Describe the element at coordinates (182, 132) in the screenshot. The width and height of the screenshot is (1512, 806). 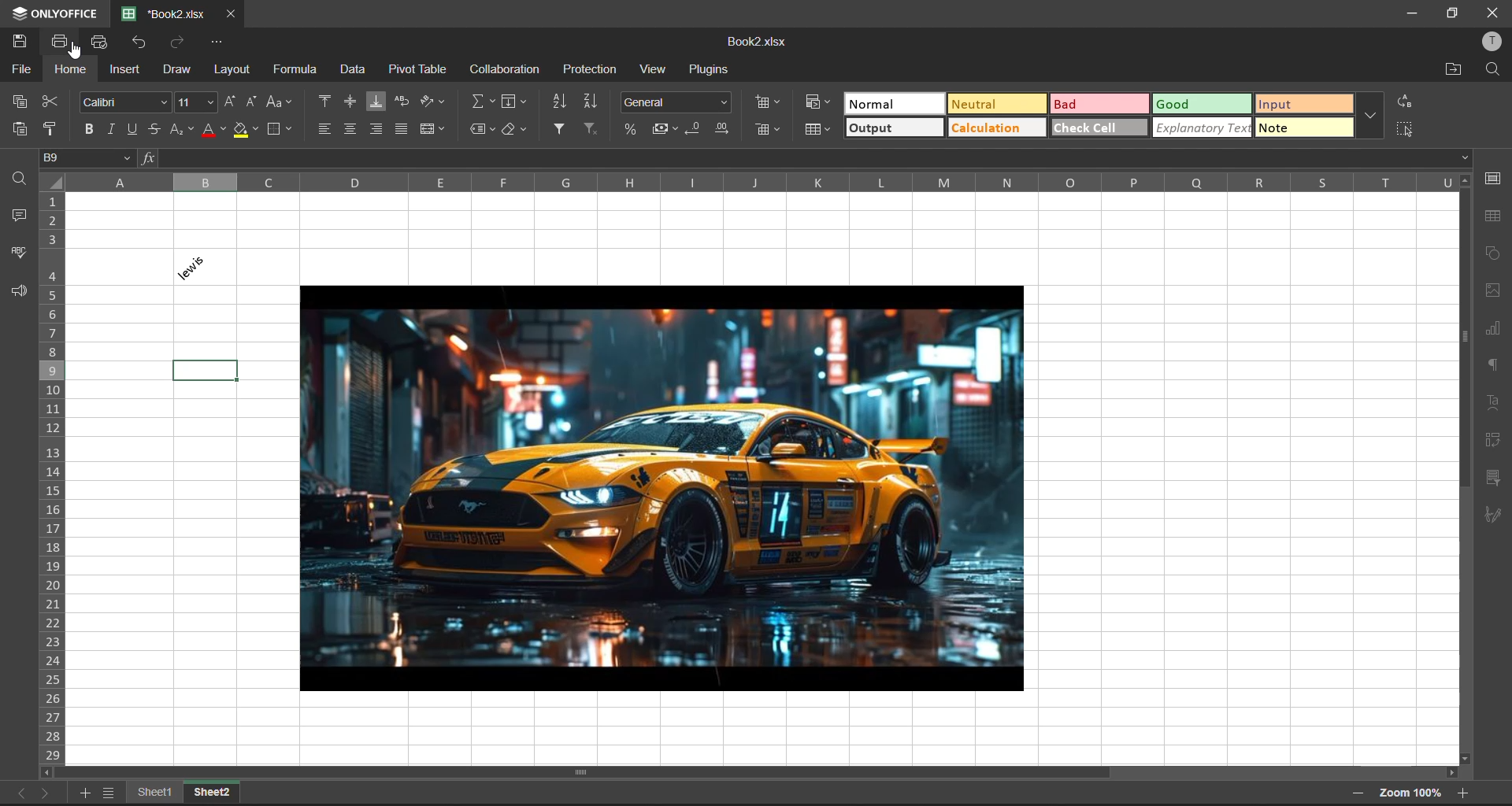
I see `sub/superscript` at that location.